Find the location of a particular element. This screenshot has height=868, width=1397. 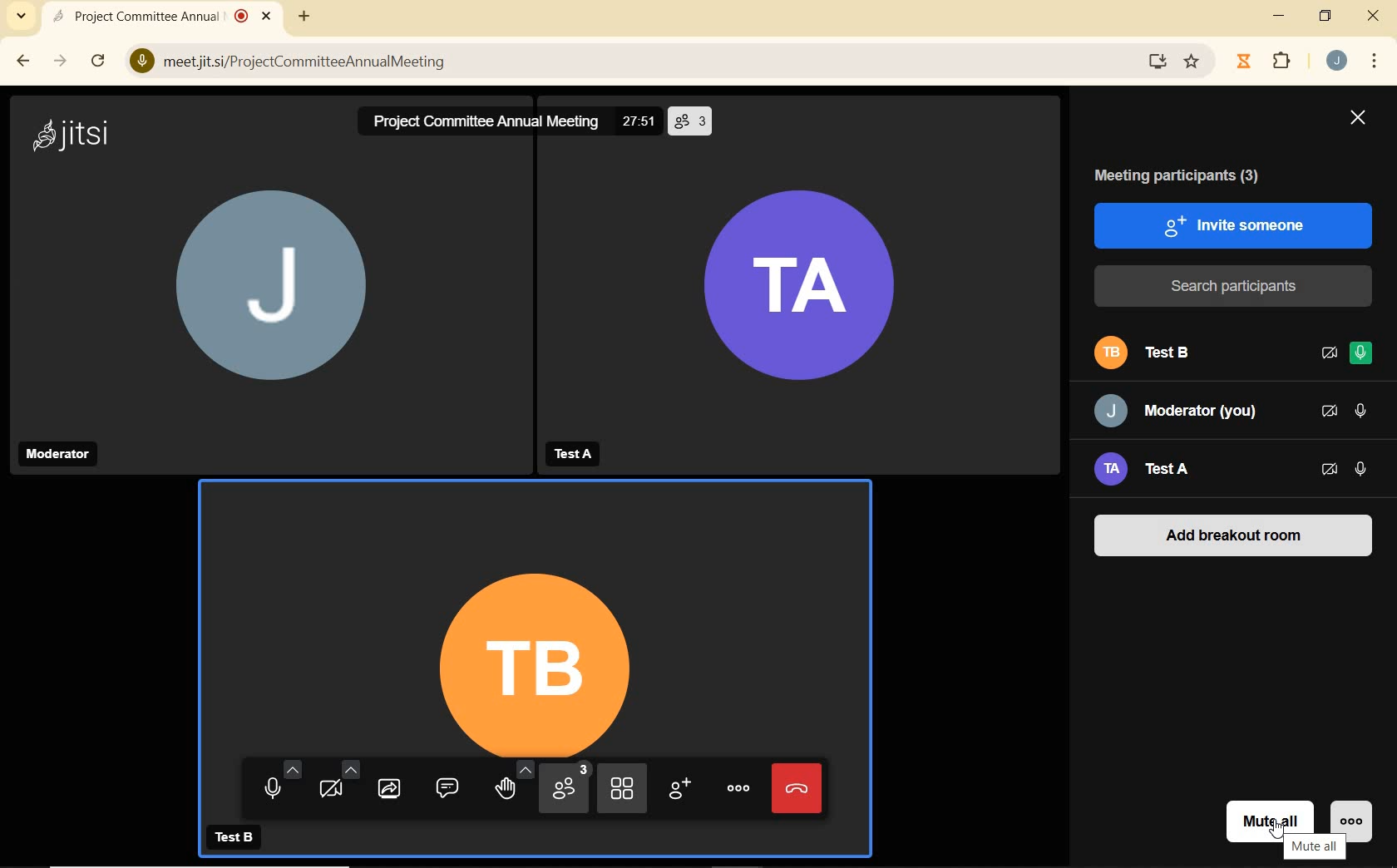

Favorites is located at coordinates (1196, 60).